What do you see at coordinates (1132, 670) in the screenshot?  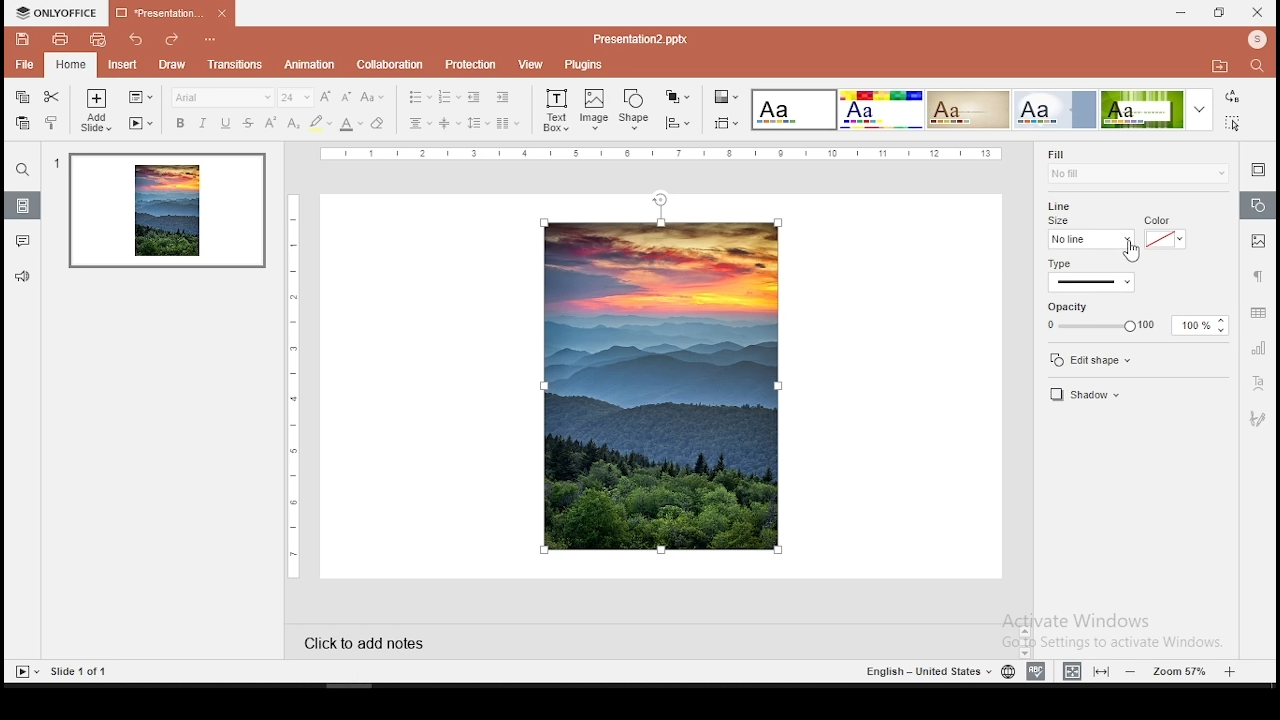 I see `zoom out` at bounding box center [1132, 670].